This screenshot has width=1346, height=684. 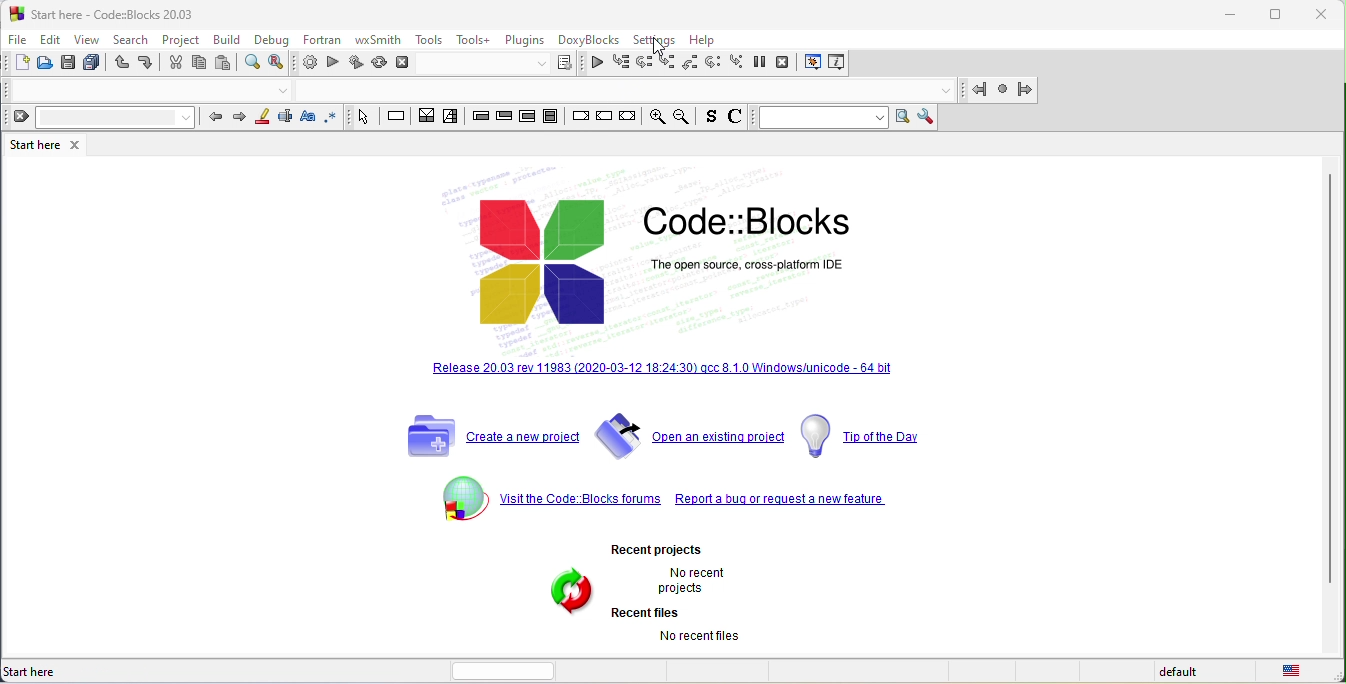 I want to click on show option window, so click(x=928, y=117).